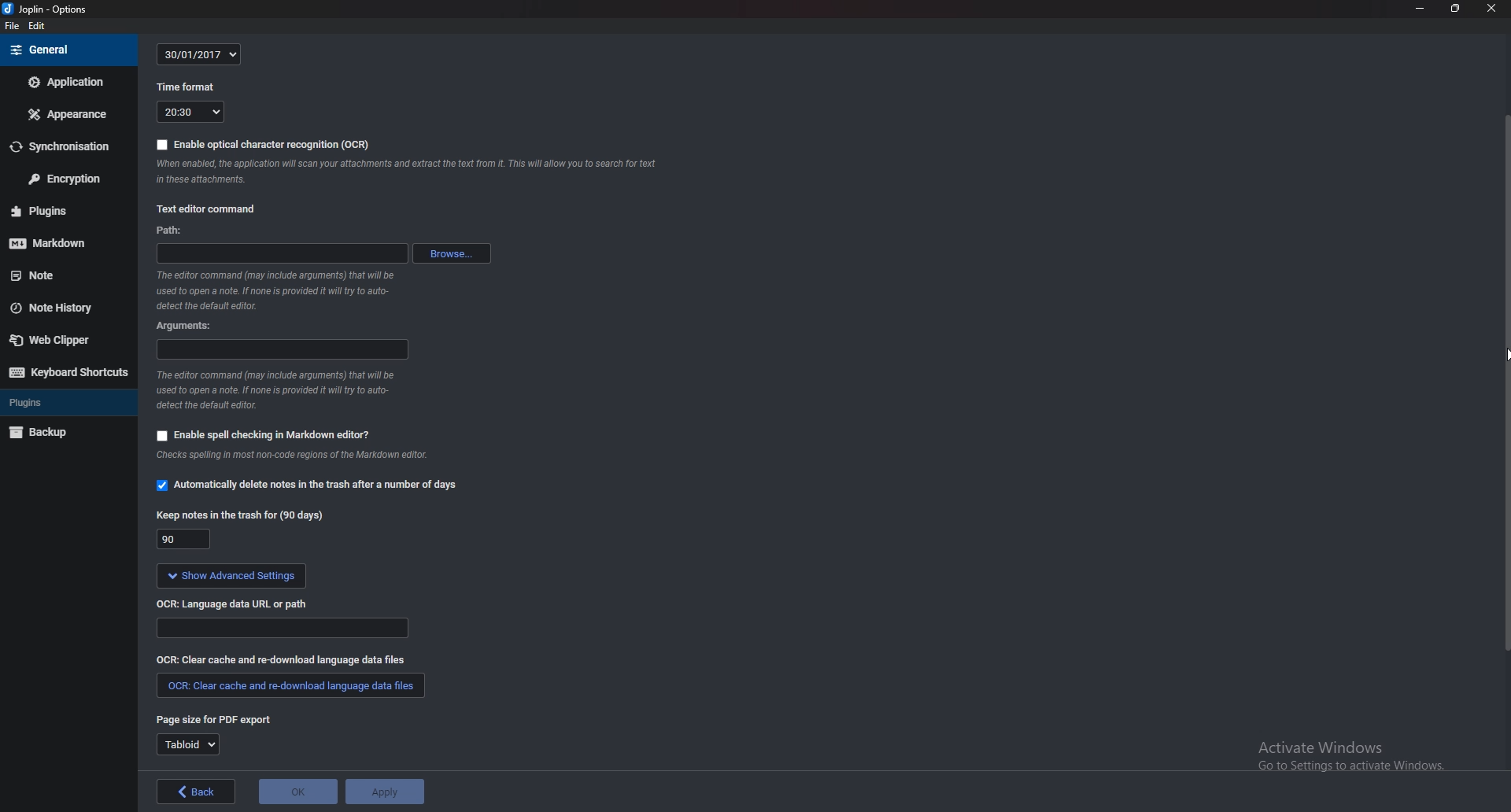 The width and height of the screenshot is (1511, 812). What do you see at coordinates (64, 434) in the screenshot?
I see `Back up` at bounding box center [64, 434].